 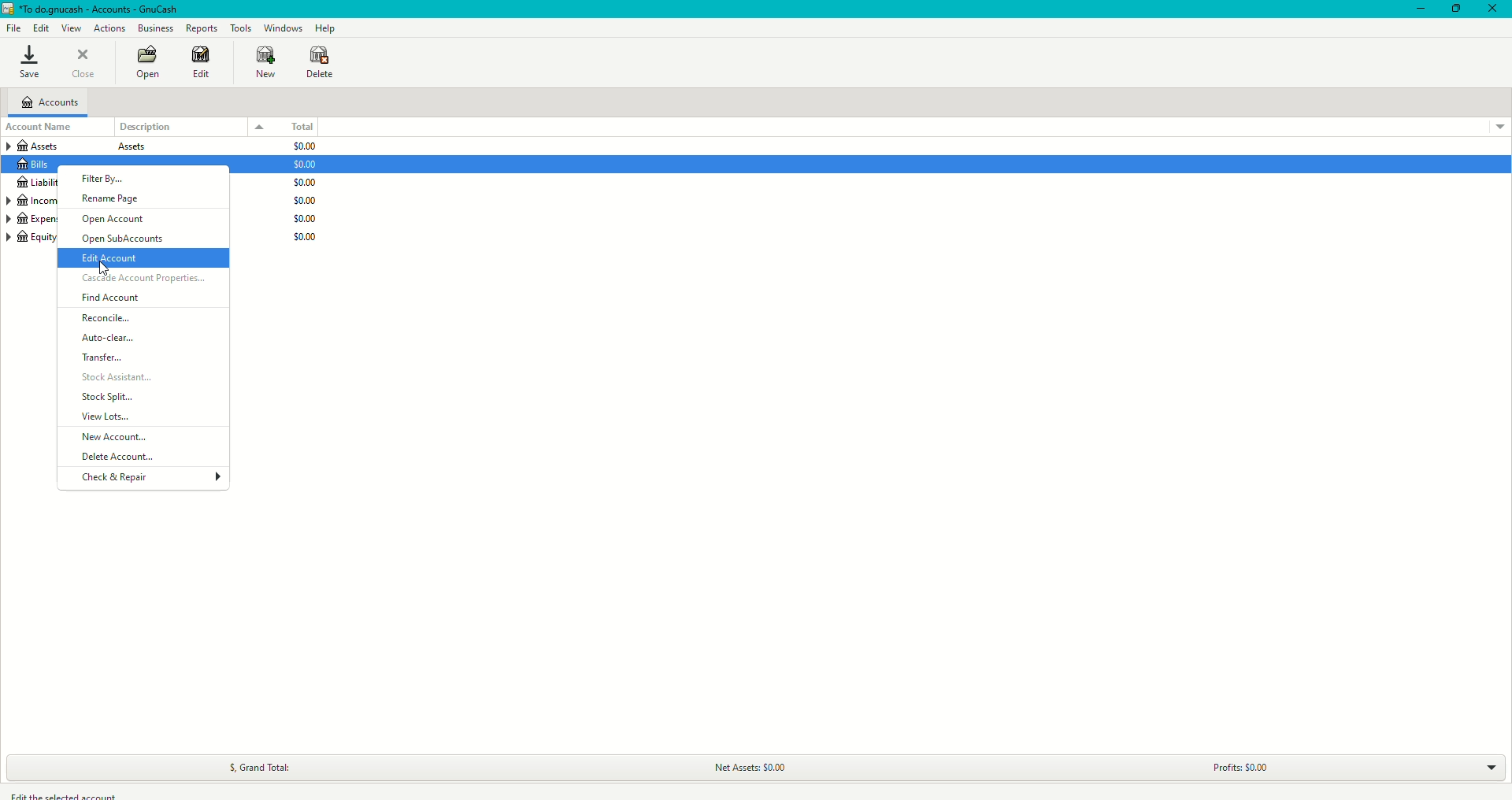 What do you see at coordinates (97, 10) in the screenshot?
I see `GnuCash` at bounding box center [97, 10].